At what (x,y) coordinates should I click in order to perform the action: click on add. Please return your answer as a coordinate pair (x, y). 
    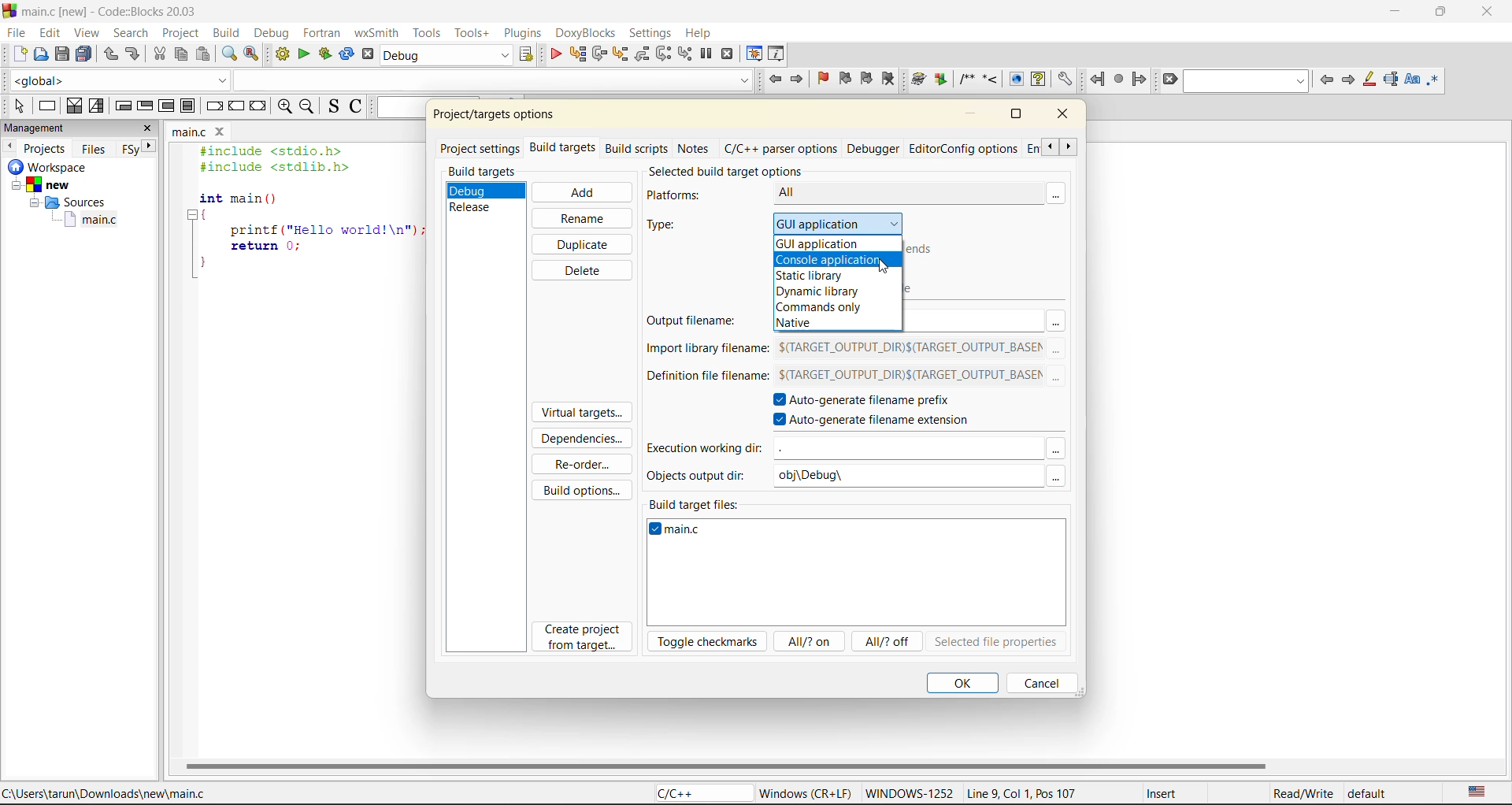
    Looking at the image, I should click on (580, 192).